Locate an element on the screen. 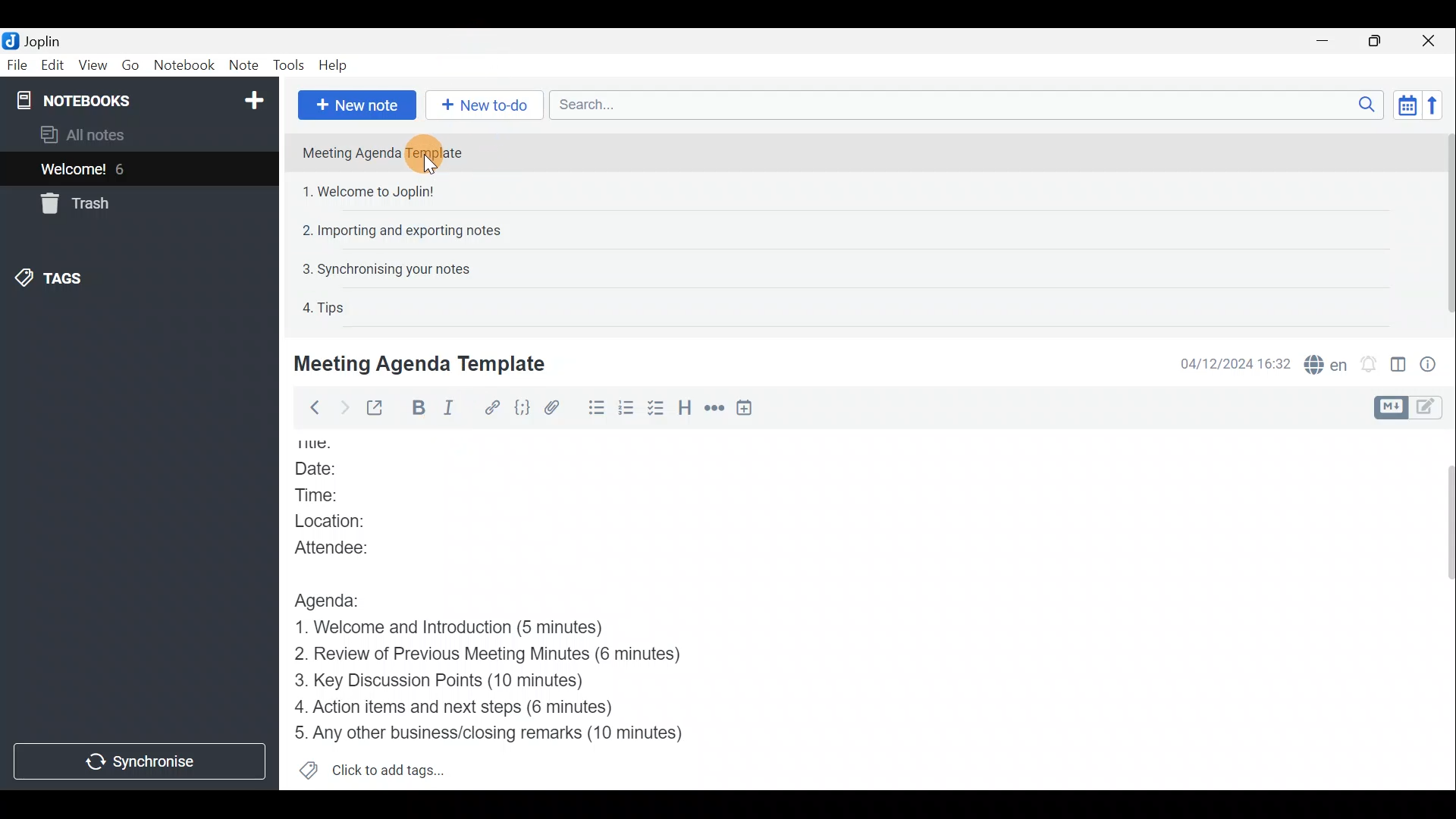 This screenshot has width=1456, height=819. Attach file is located at coordinates (559, 408).